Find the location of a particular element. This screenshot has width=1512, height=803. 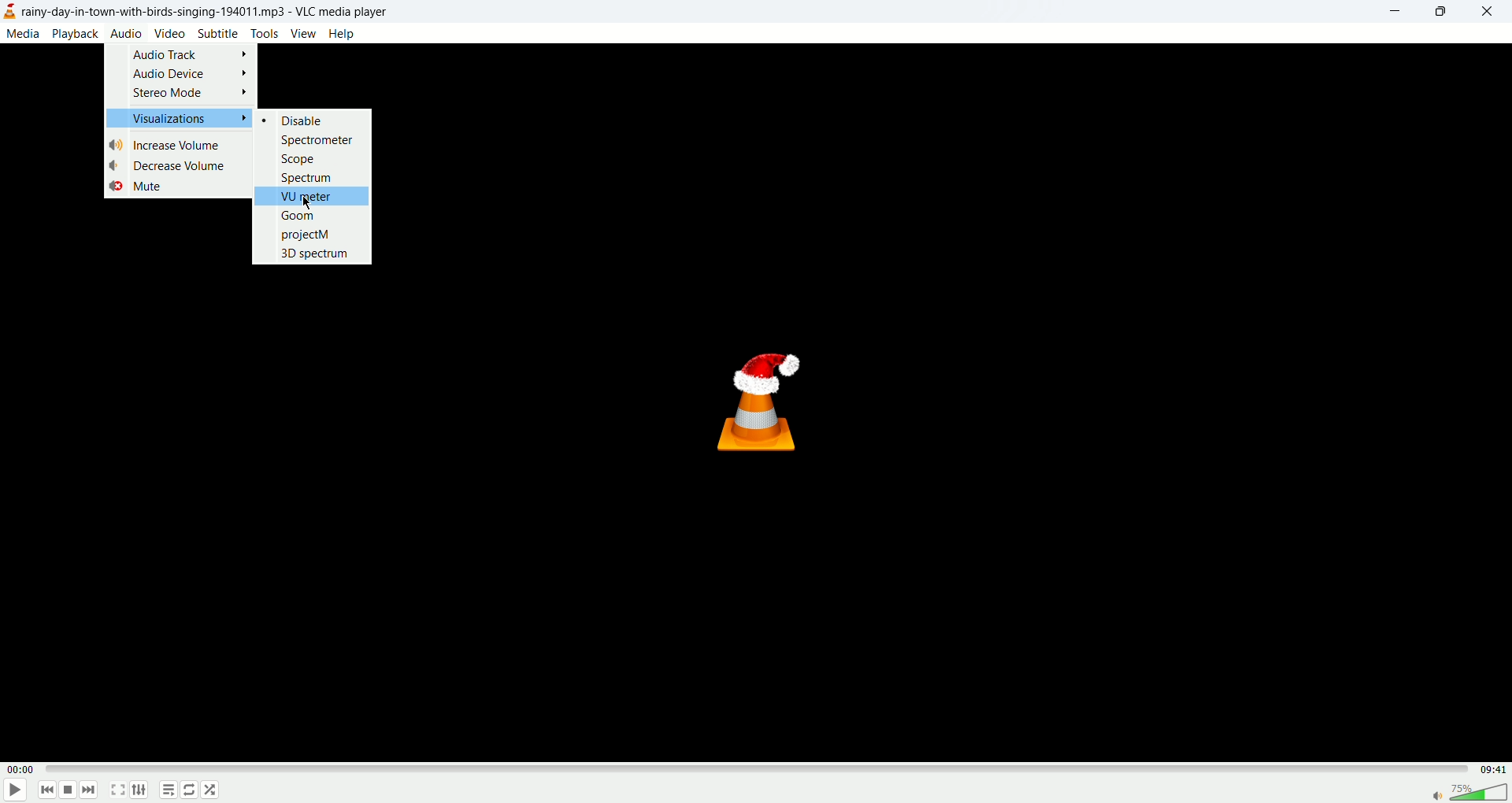

projectM is located at coordinates (309, 235).